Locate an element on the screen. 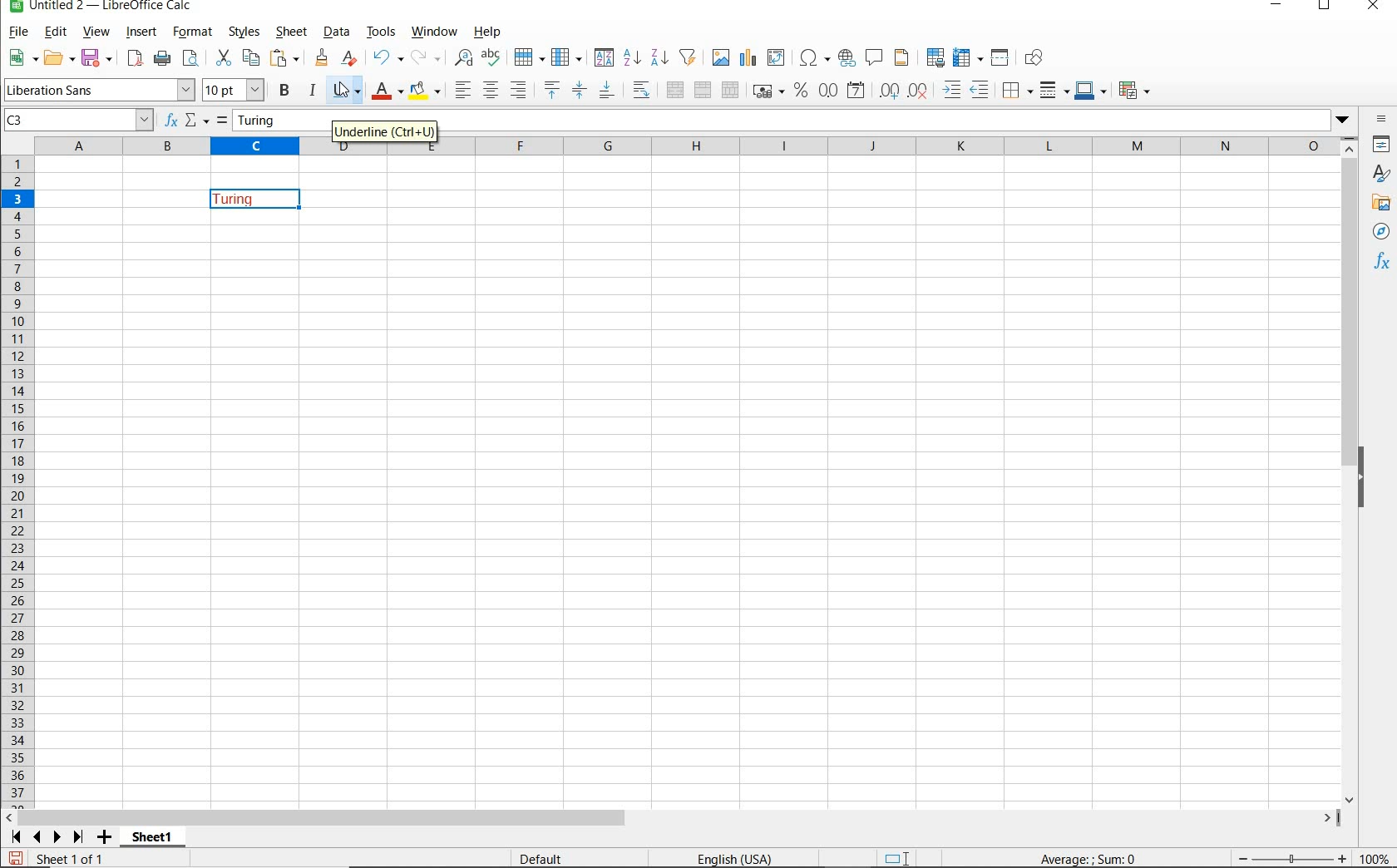 This screenshot has width=1397, height=868. DECREASE INDENT is located at coordinates (980, 91).